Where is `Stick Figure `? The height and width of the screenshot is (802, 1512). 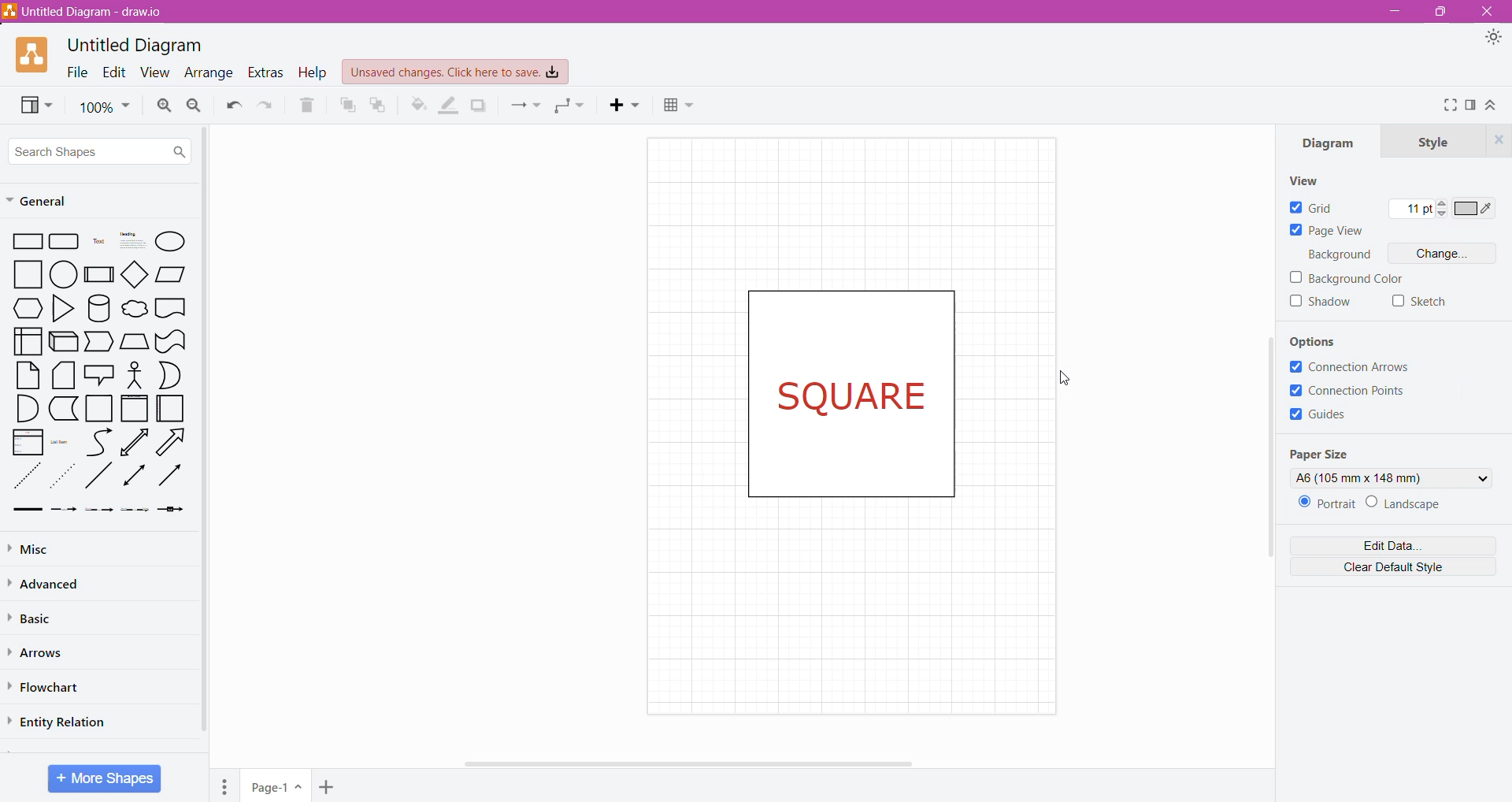
Stick Figure  is located at coordinates (135, 373).